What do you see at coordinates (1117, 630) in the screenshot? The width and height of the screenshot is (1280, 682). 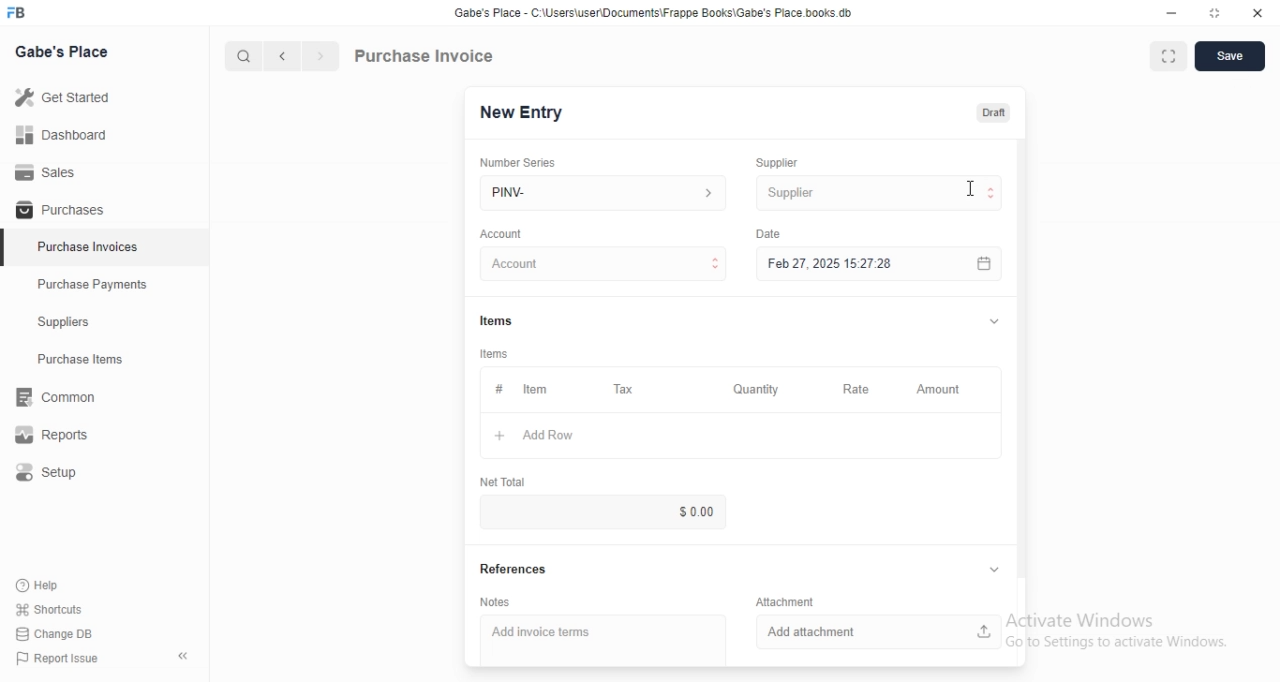 I see `Activate Windows Go to Settings to activate Windows.` at bounding box center [1117, 630].